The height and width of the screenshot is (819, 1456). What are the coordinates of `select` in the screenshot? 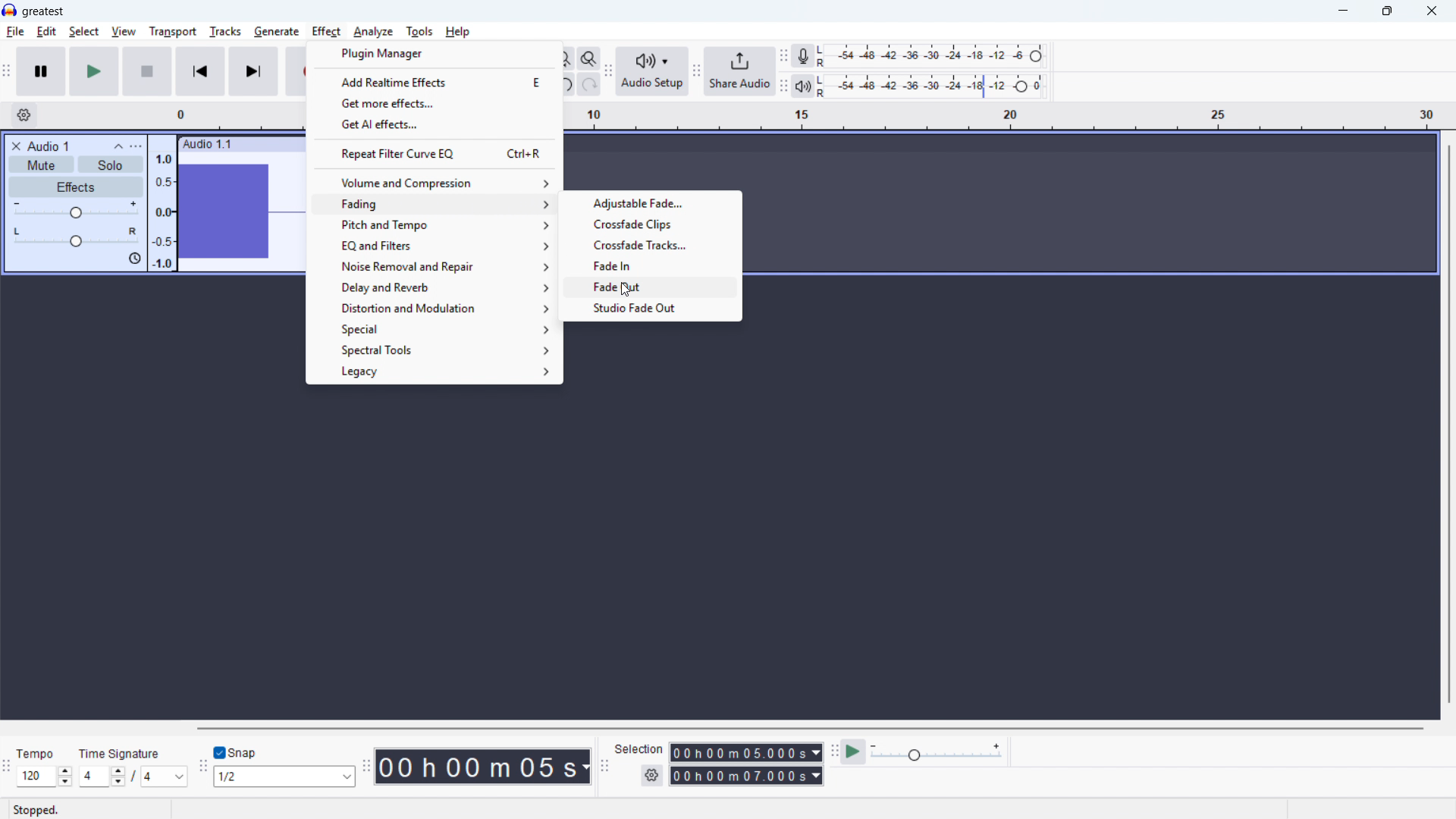 It's located at (84, 32).